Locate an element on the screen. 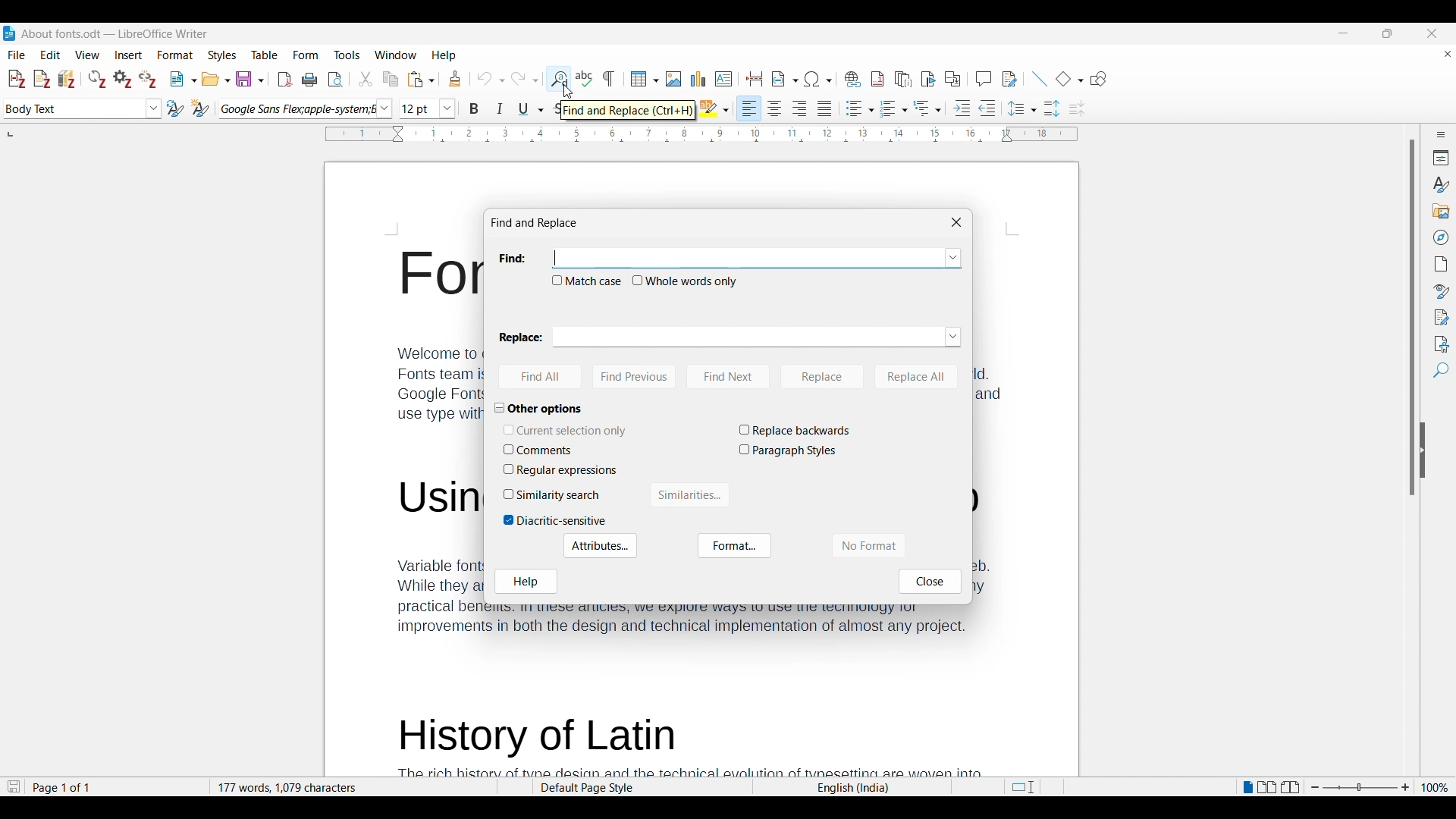 The image size is (1456, 819). Update selected style is located at coordinates (176, 108).